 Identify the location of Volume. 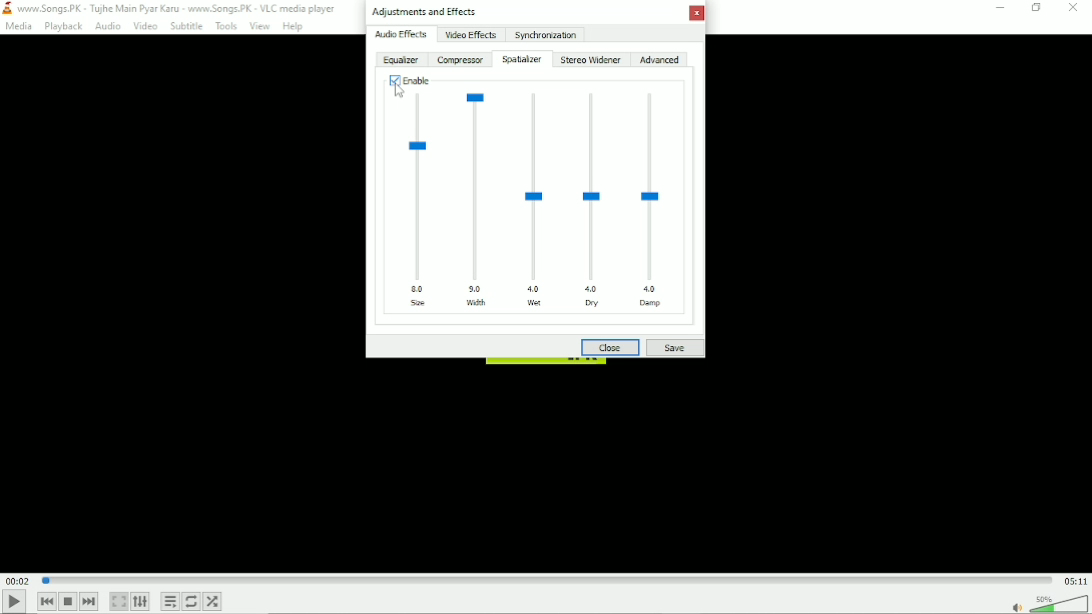
(1059, 603).